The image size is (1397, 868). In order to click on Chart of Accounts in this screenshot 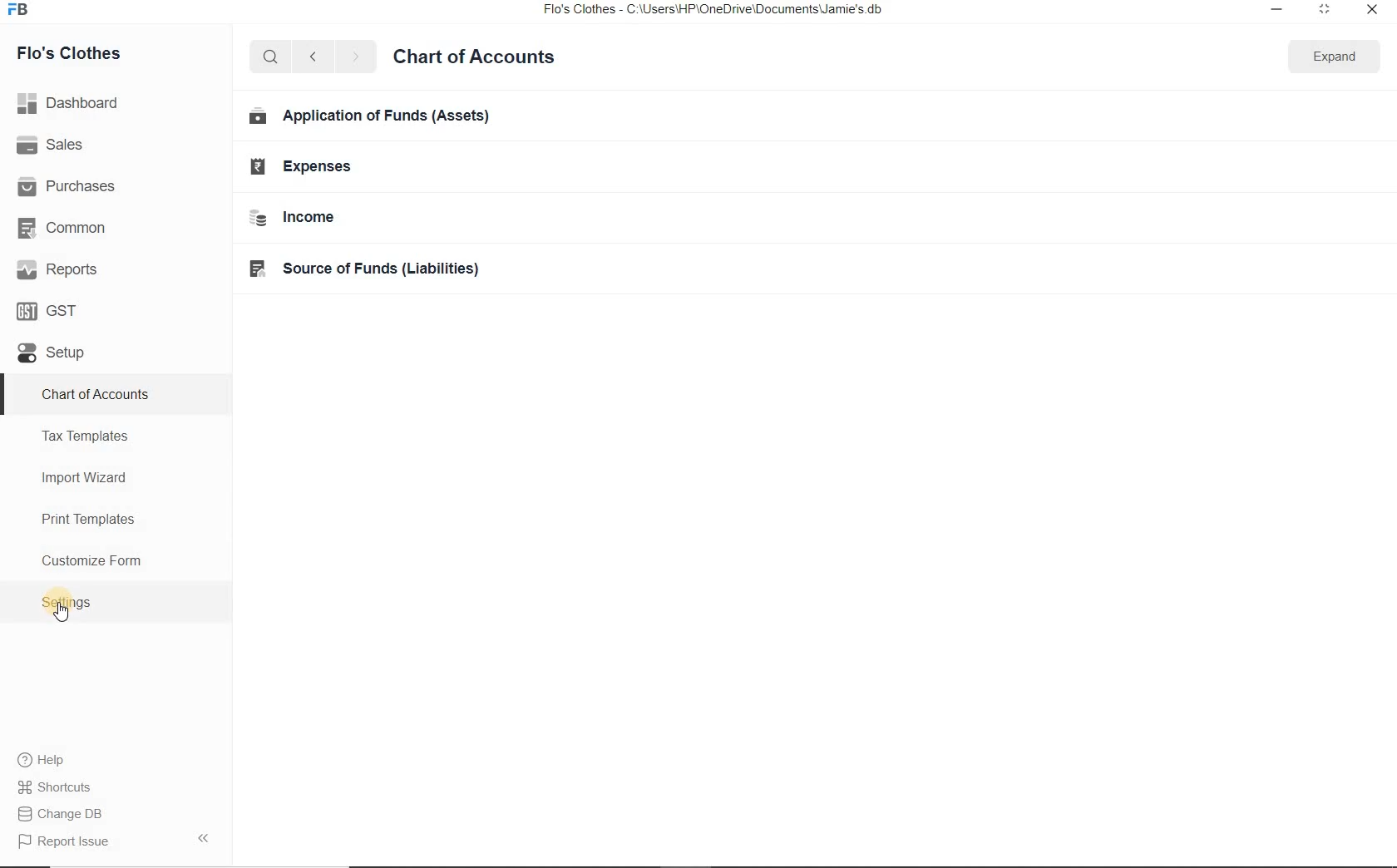, I will do `click(498, 58)`.